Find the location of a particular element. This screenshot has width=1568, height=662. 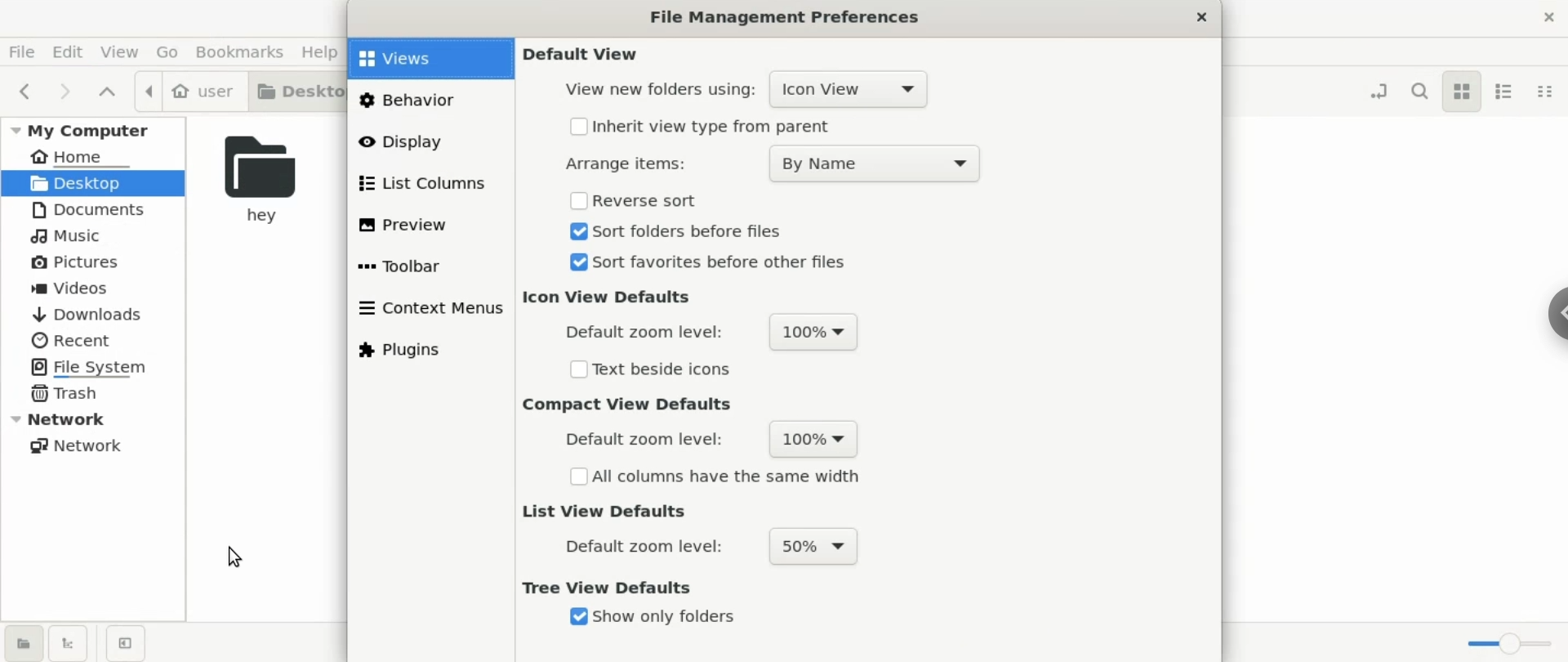

search is located at coordinates (1419, 92).